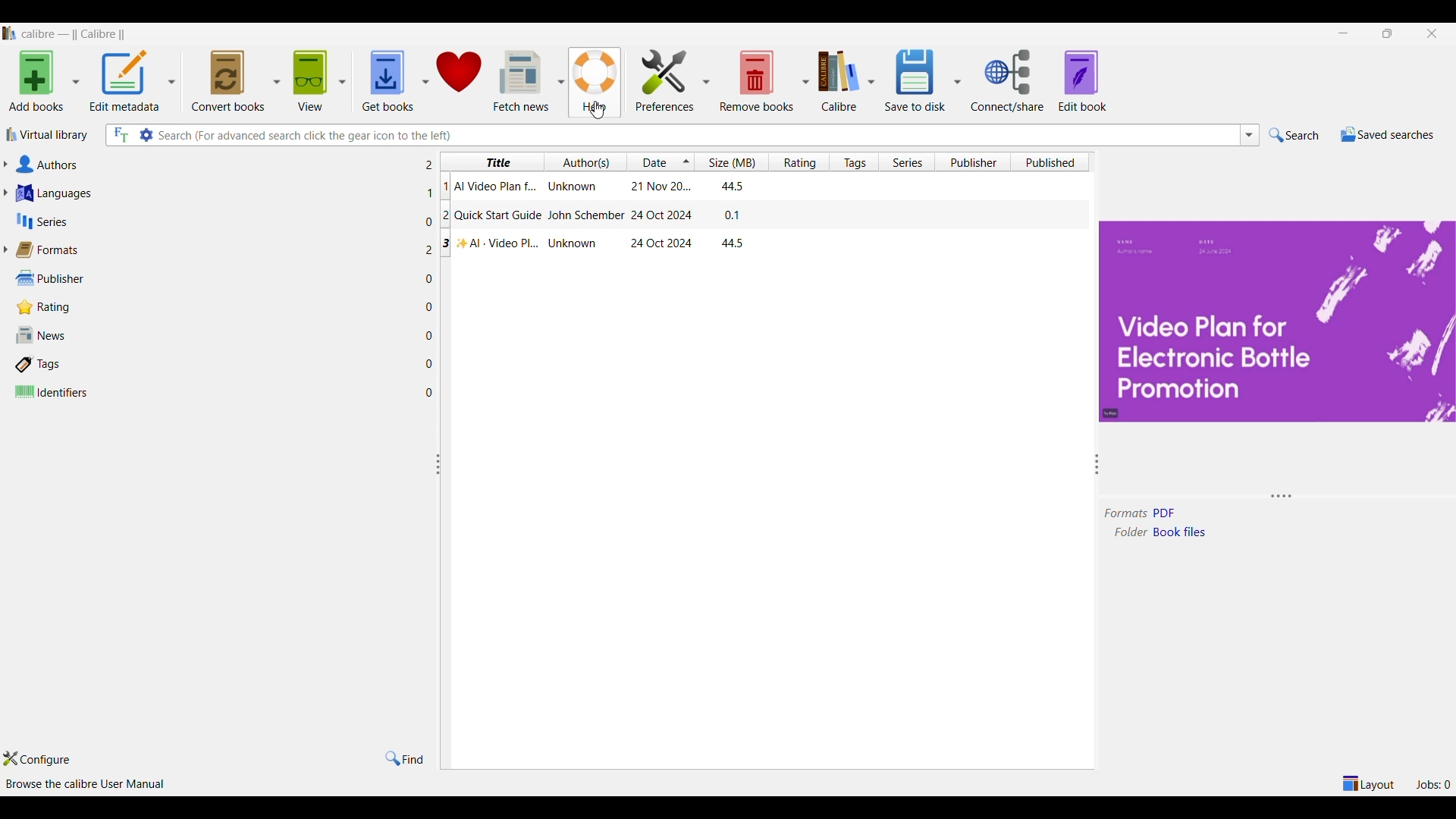  Describe the element at coordinates (755, 80) in the screenshot. I see `Remove book` at that location.